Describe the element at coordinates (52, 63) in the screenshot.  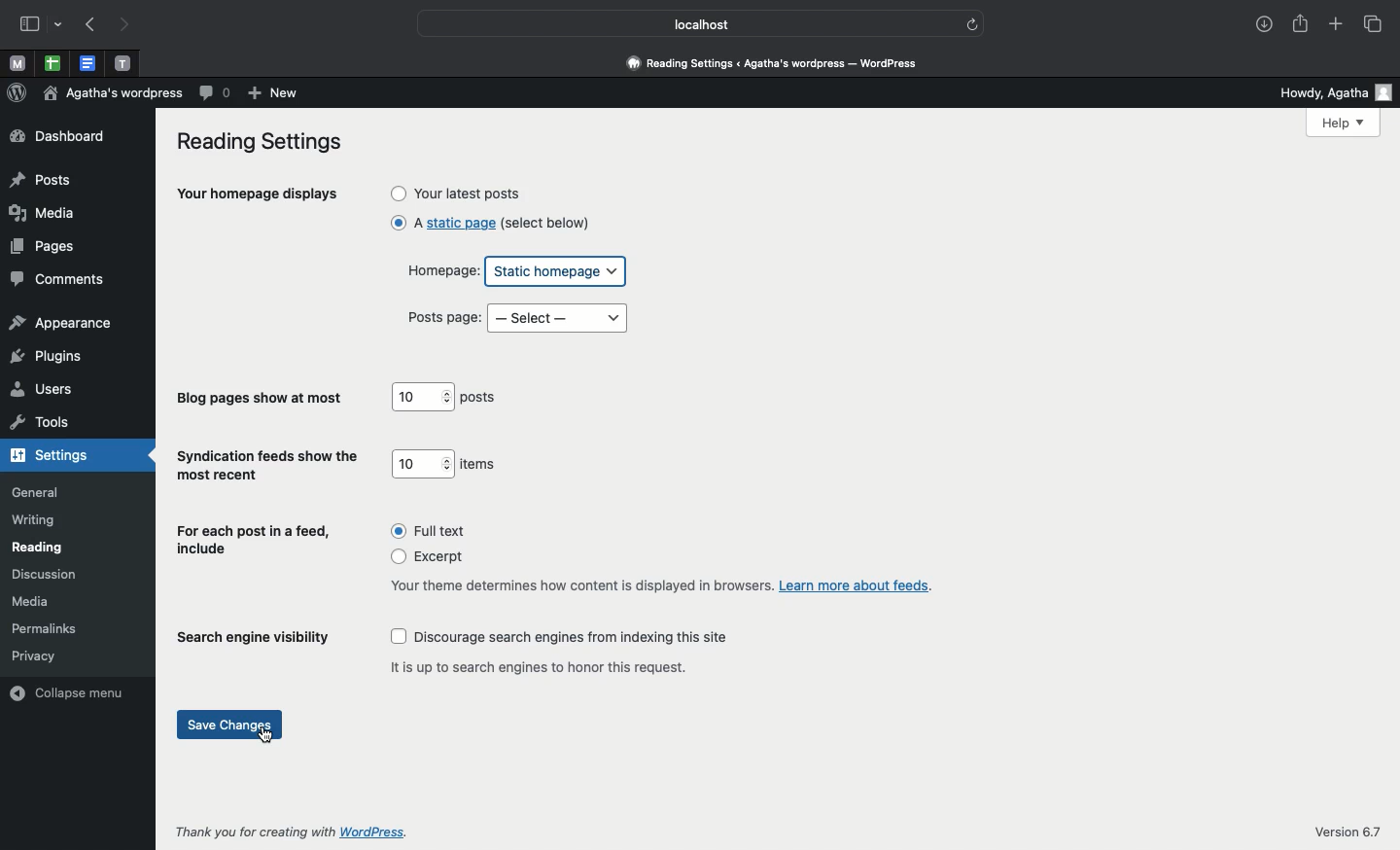
I see `Pinned tabs` at that location.